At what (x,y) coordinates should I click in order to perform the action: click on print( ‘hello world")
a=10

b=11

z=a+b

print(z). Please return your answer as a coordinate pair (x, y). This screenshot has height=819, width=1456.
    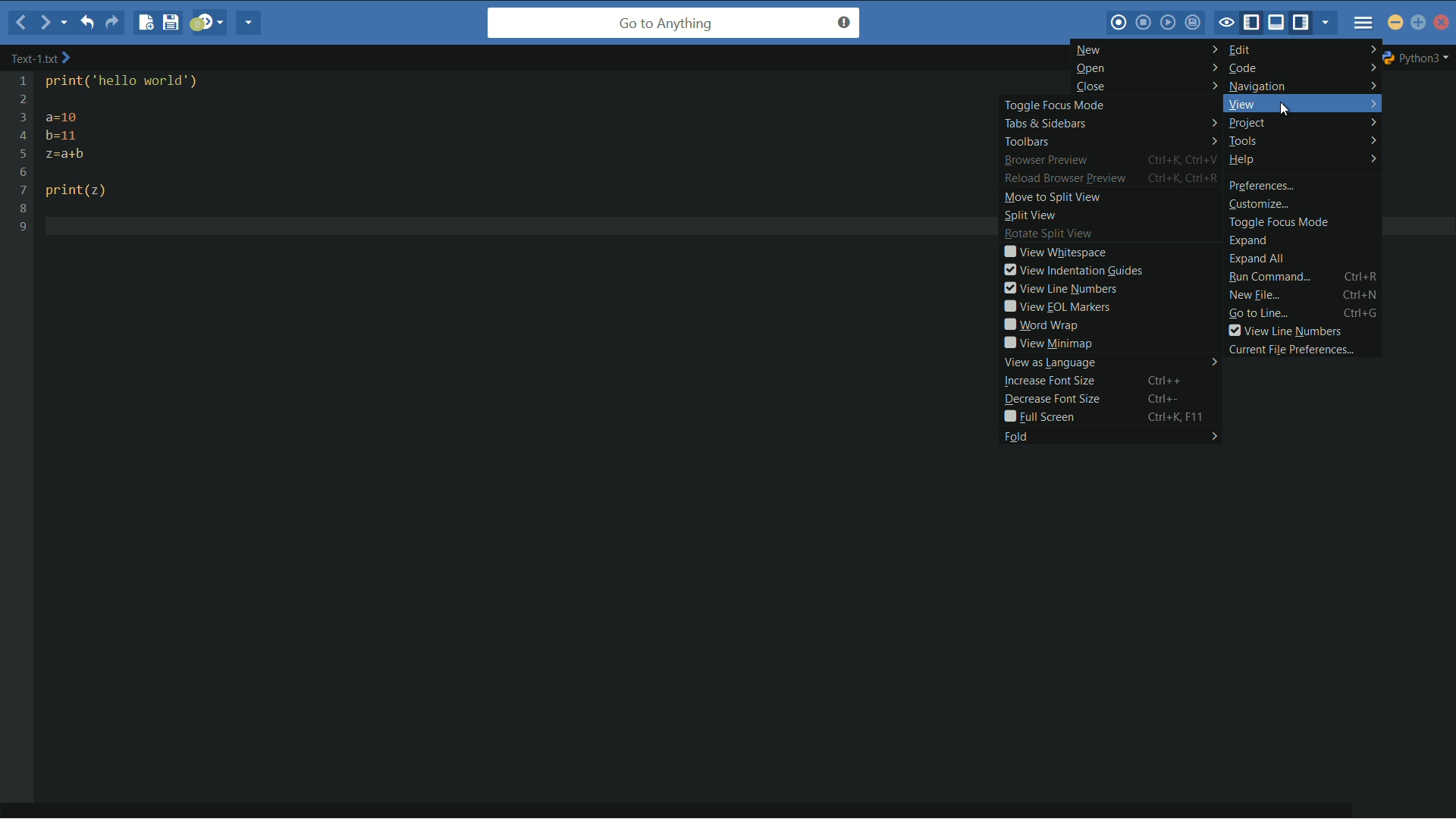
    Looking at the image, I should click on (148, 139).